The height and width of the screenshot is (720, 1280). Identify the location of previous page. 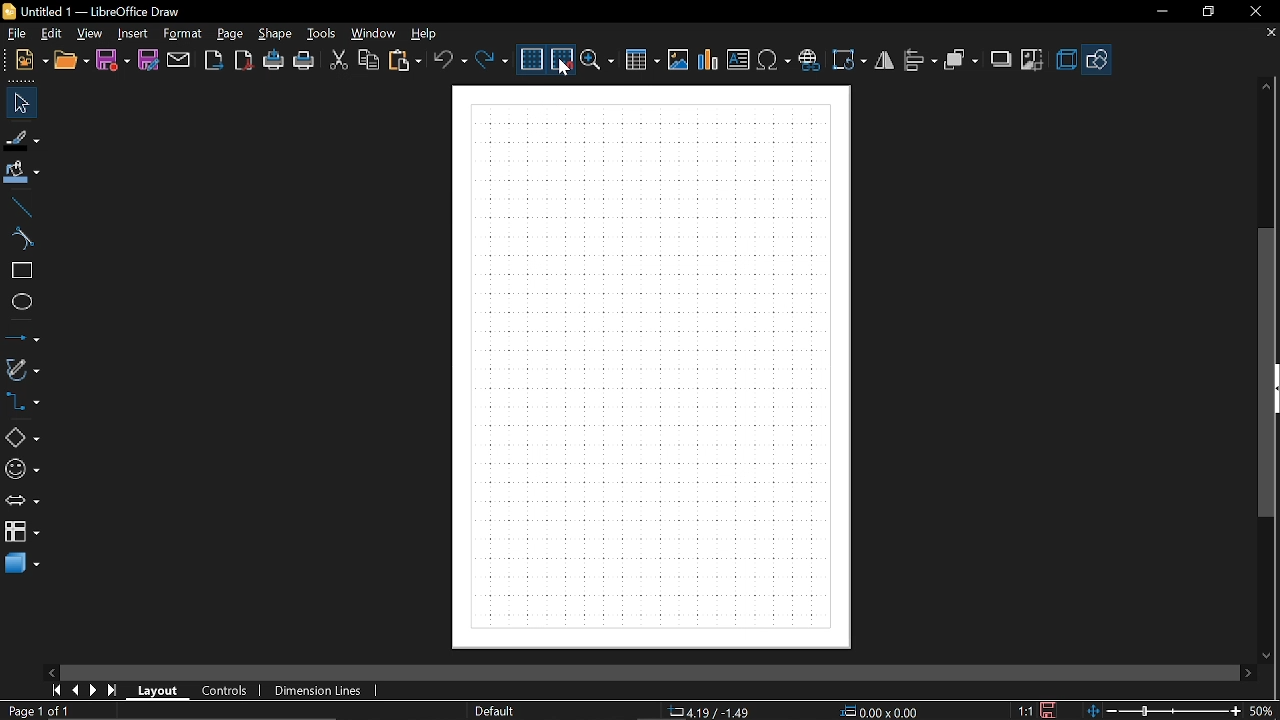
(76, 690).